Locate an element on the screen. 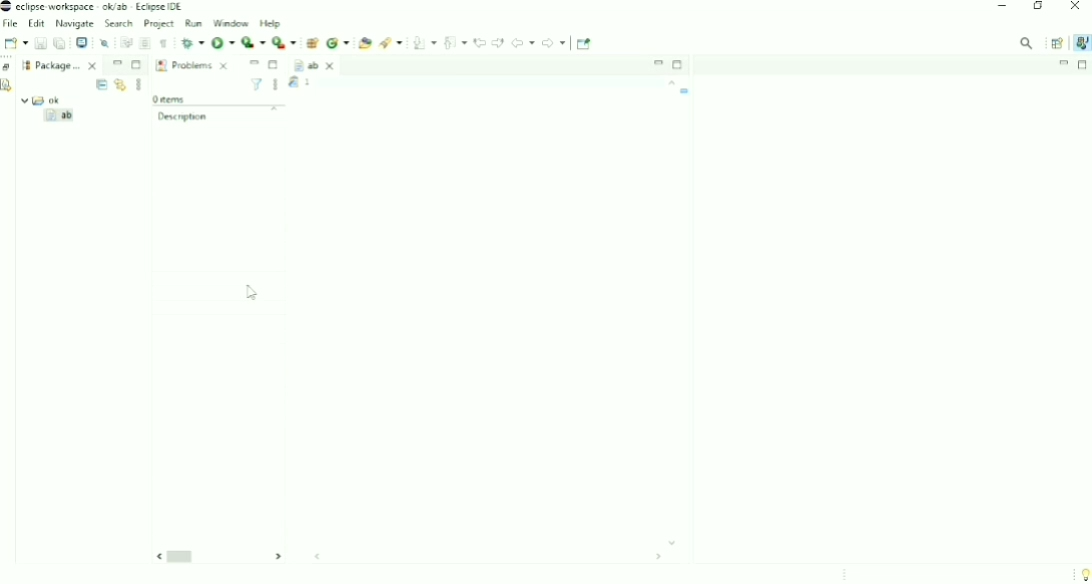 Image resolution: width=1092 pixels, height=584 pixels. Project is located at coordinates (156, 23).